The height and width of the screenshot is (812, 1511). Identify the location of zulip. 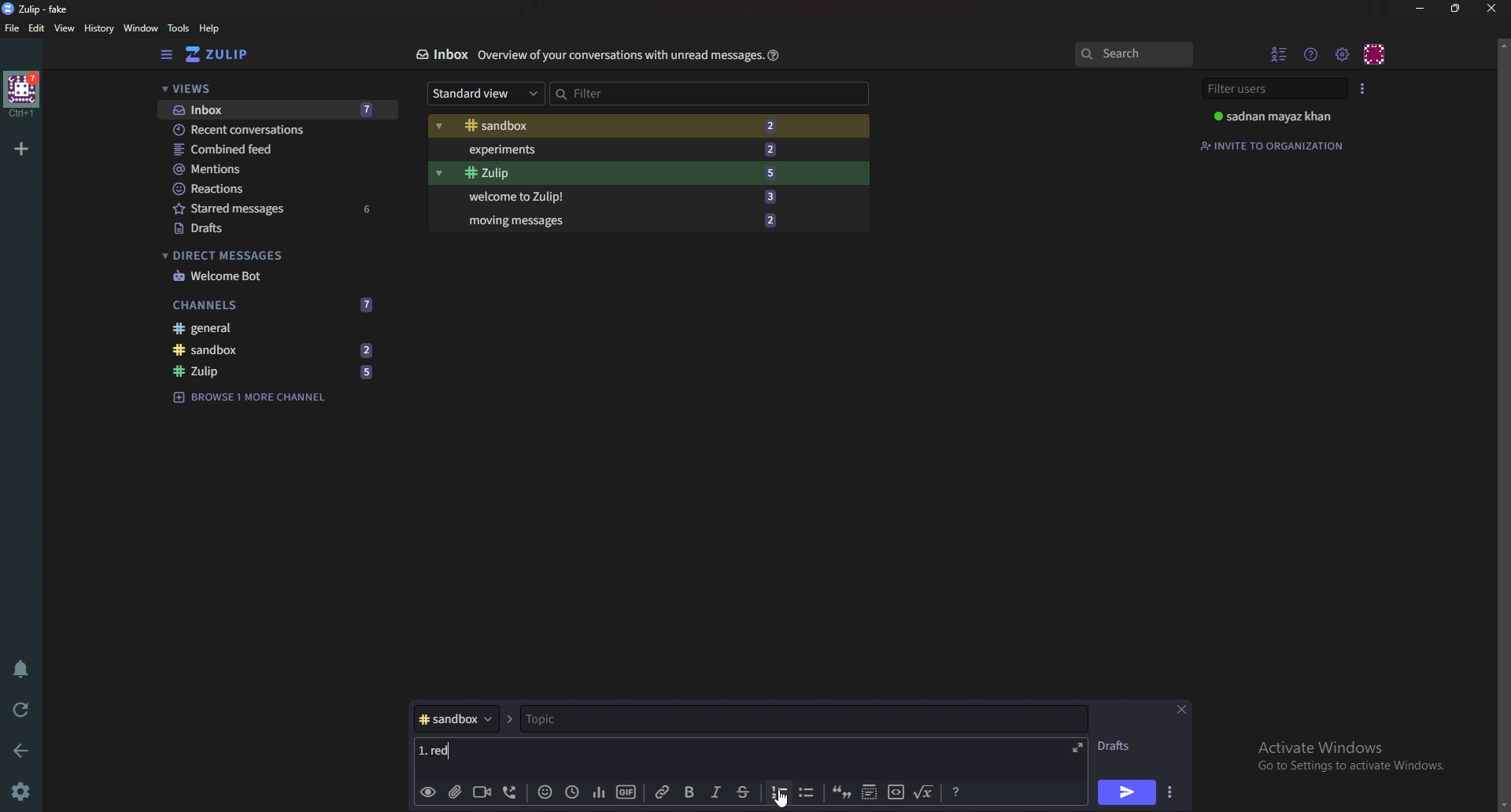
(279, 372).